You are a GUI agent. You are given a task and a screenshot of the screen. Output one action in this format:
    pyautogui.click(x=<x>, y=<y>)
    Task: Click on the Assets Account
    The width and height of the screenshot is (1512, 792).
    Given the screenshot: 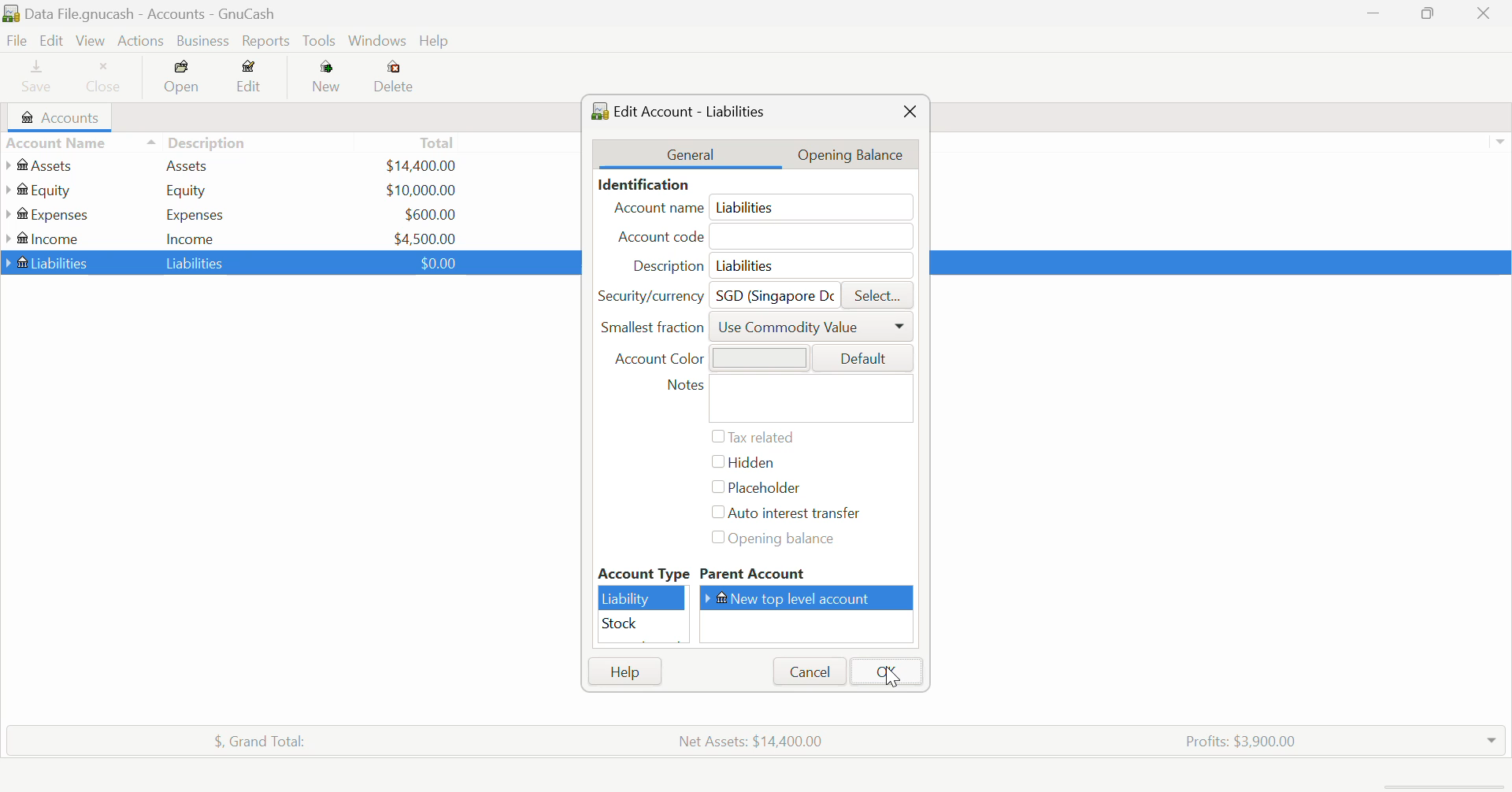 What is the action you would take?
    pyautogui.click(x=42, y=165)
    